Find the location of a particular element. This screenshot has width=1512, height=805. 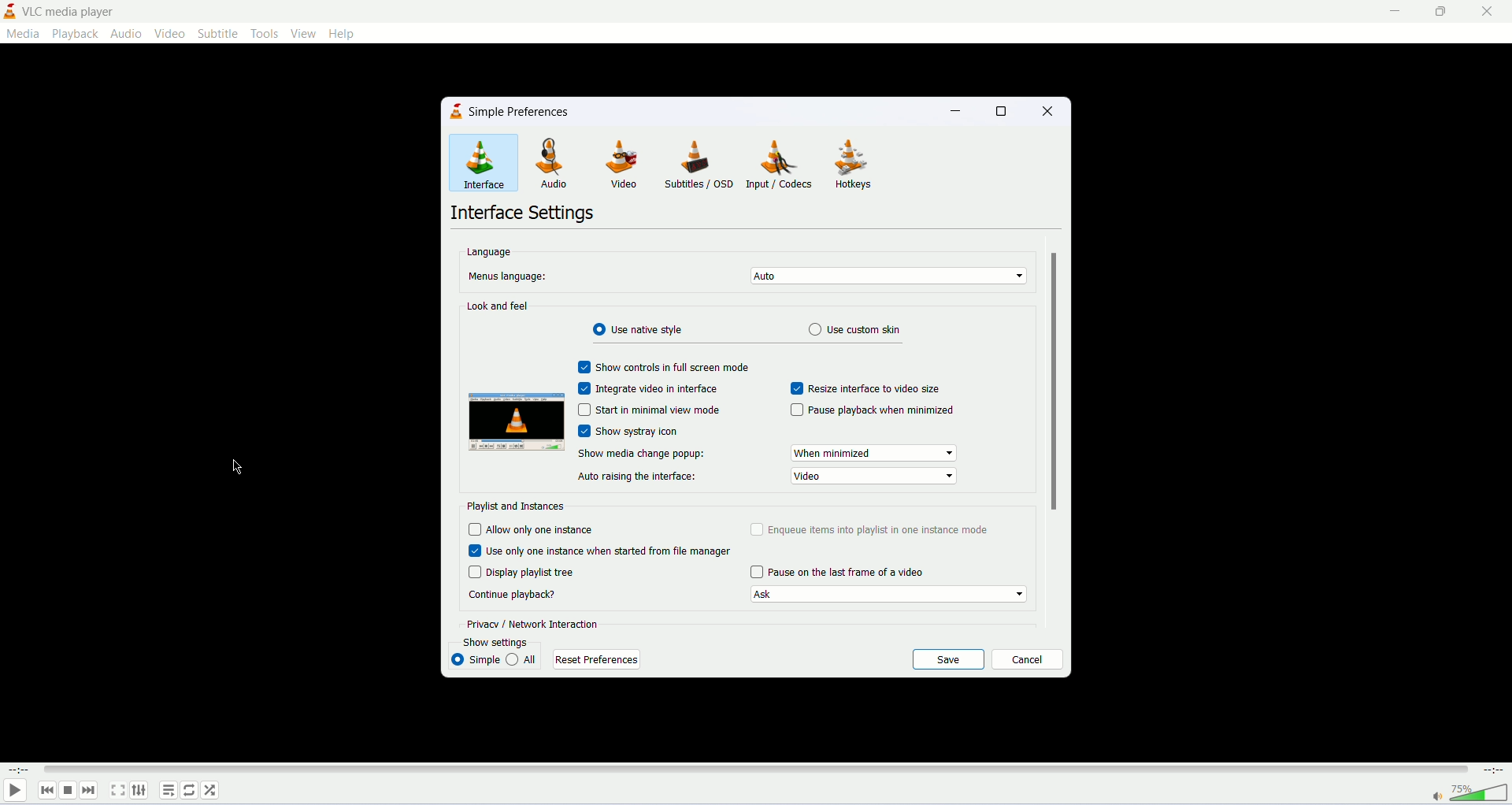

play is located at coordinates (14, 792).